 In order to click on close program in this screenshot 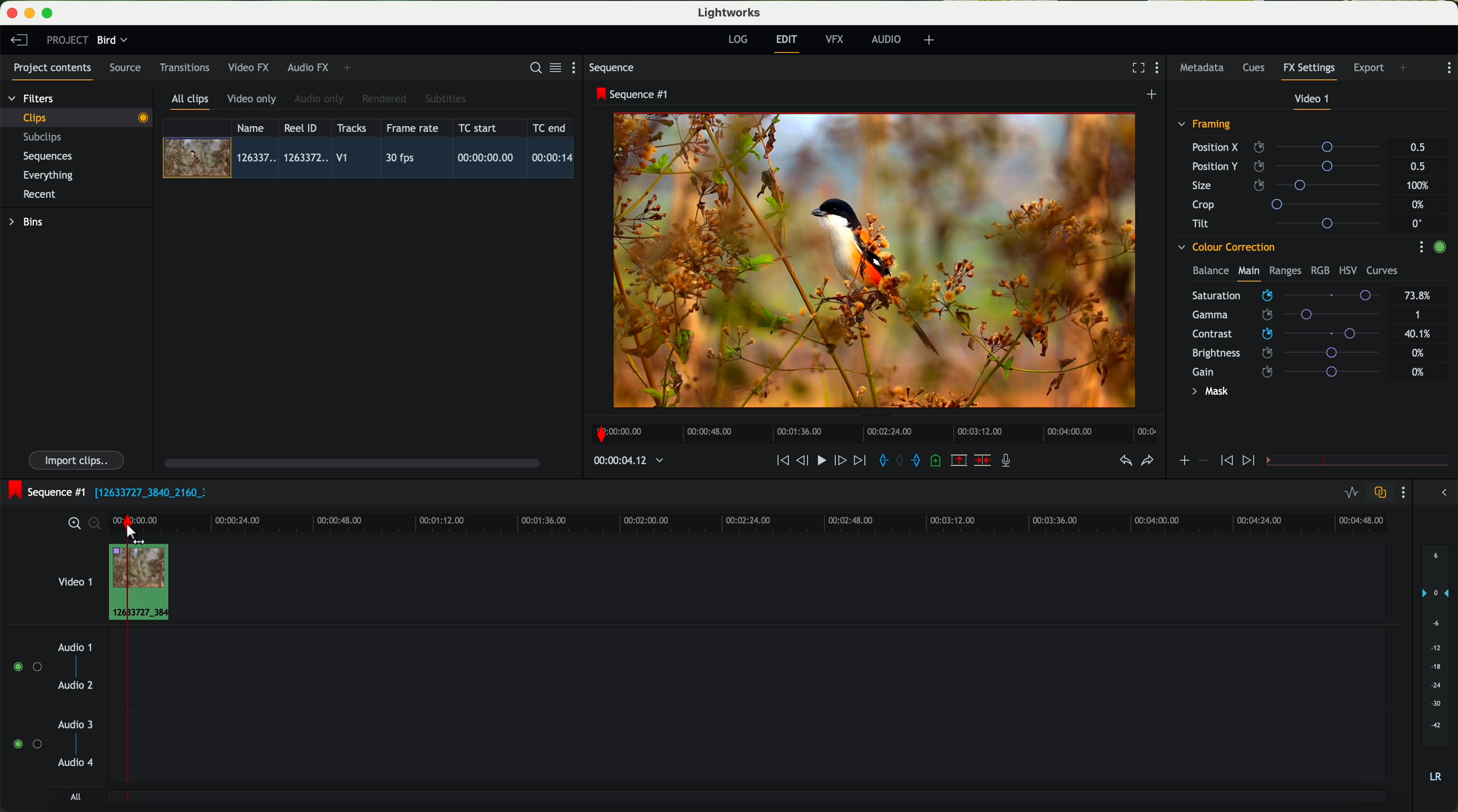, I will do `click(12, 13)`.